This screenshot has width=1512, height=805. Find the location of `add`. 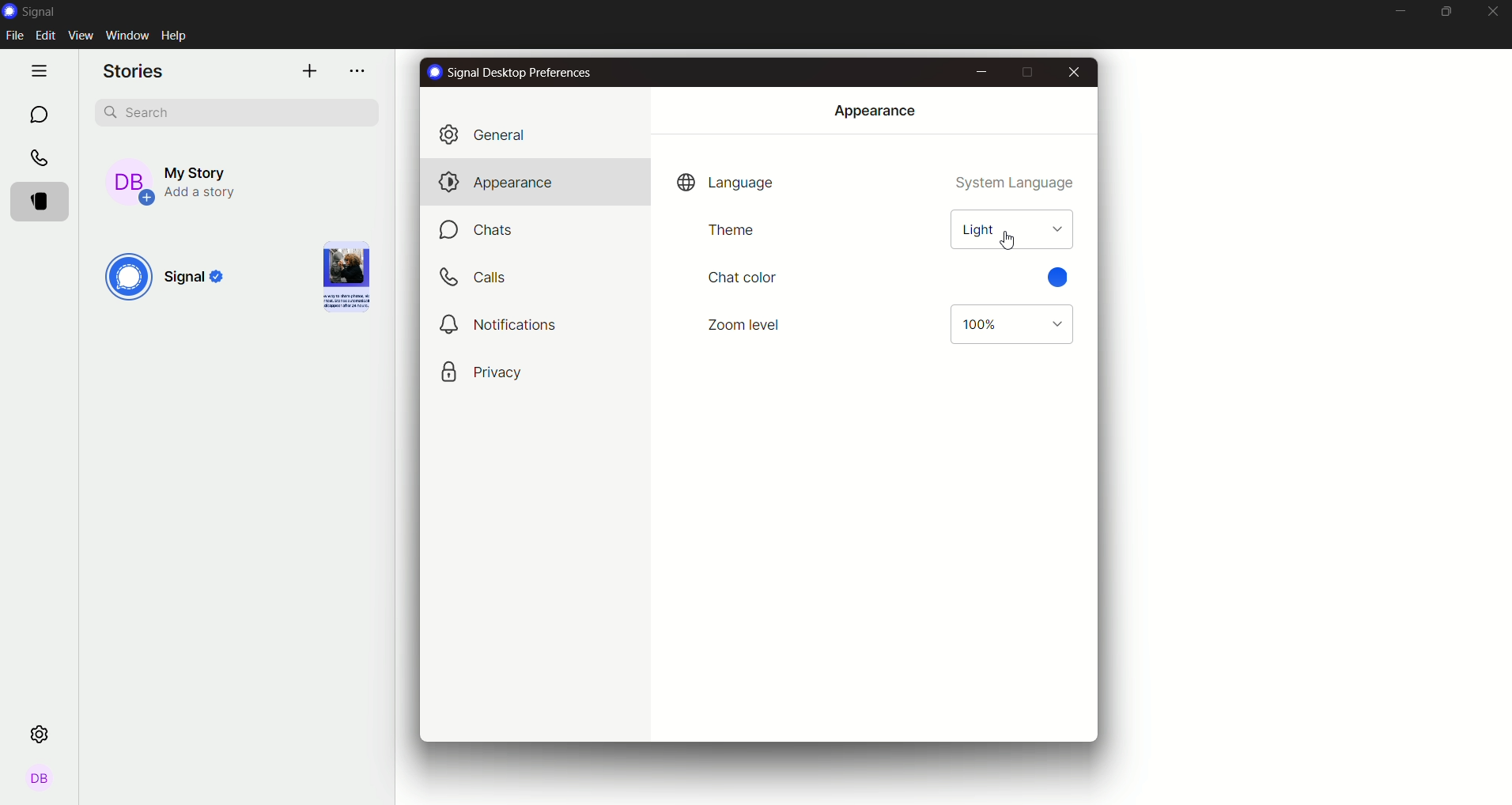

add is located at coordinates (308, 70).